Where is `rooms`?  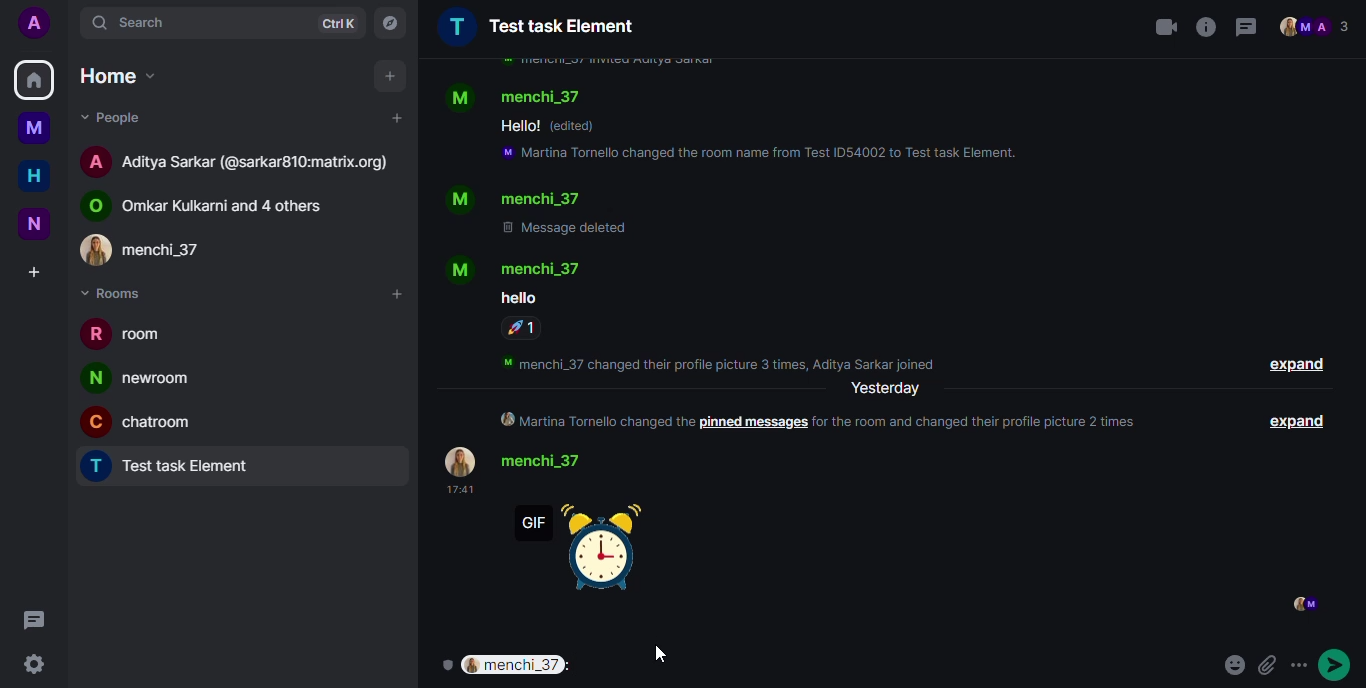
rooms is located at coordinates (119, 293).